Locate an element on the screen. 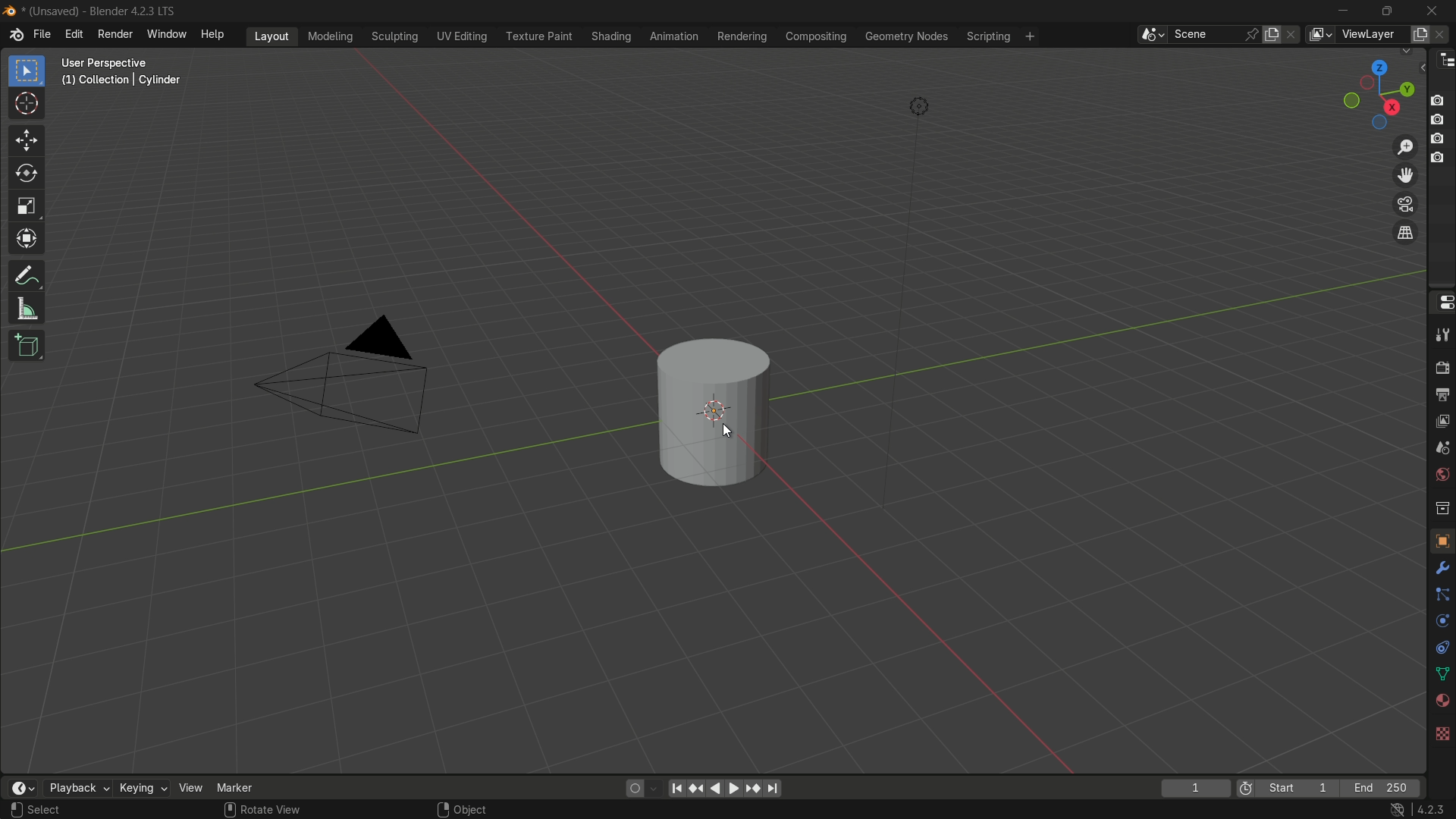 This screenshot has width=1456, height=819. timeline is located at coordinates (20, 787).